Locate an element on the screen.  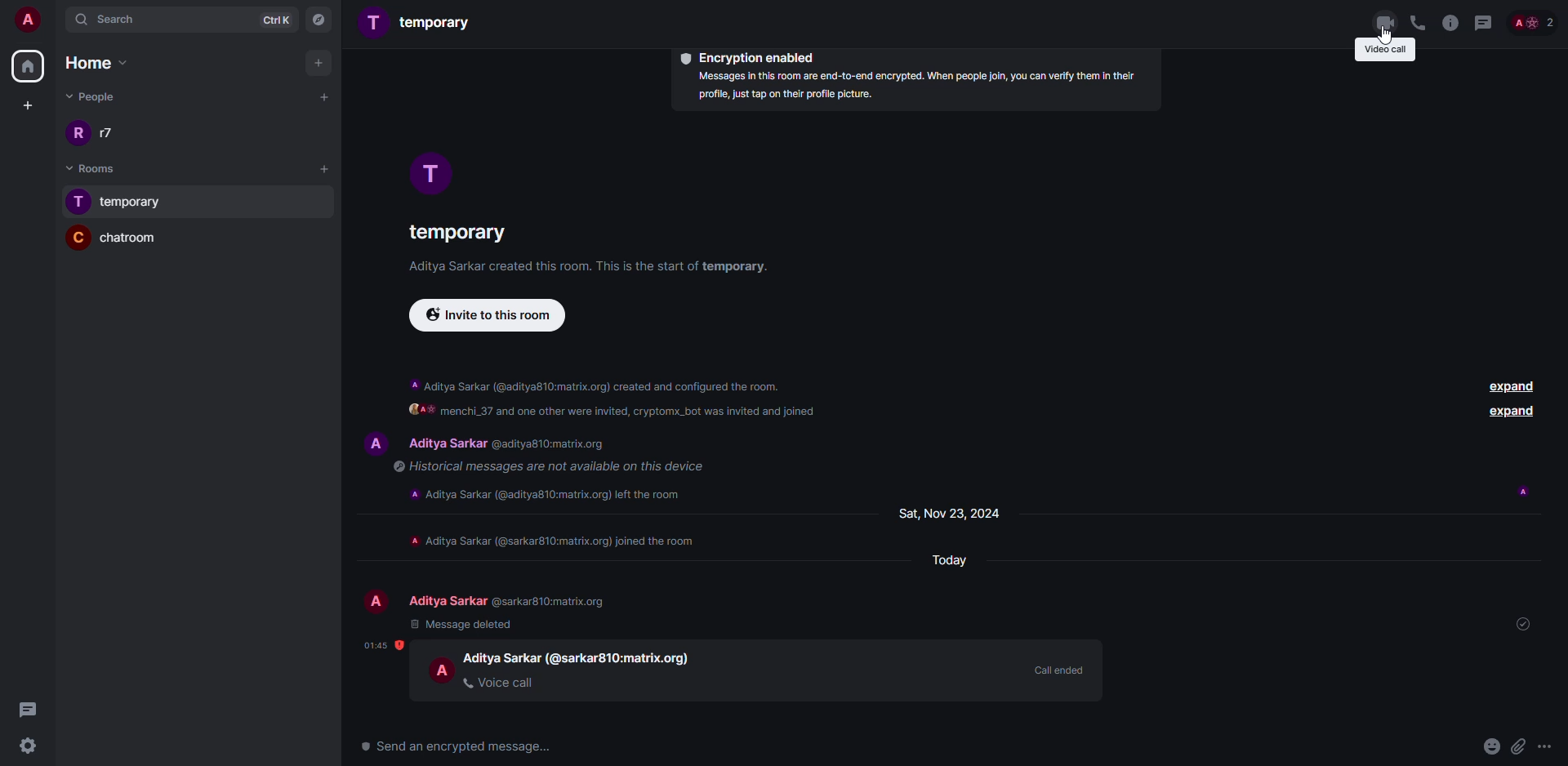
people is located at coordinates (445, 443).